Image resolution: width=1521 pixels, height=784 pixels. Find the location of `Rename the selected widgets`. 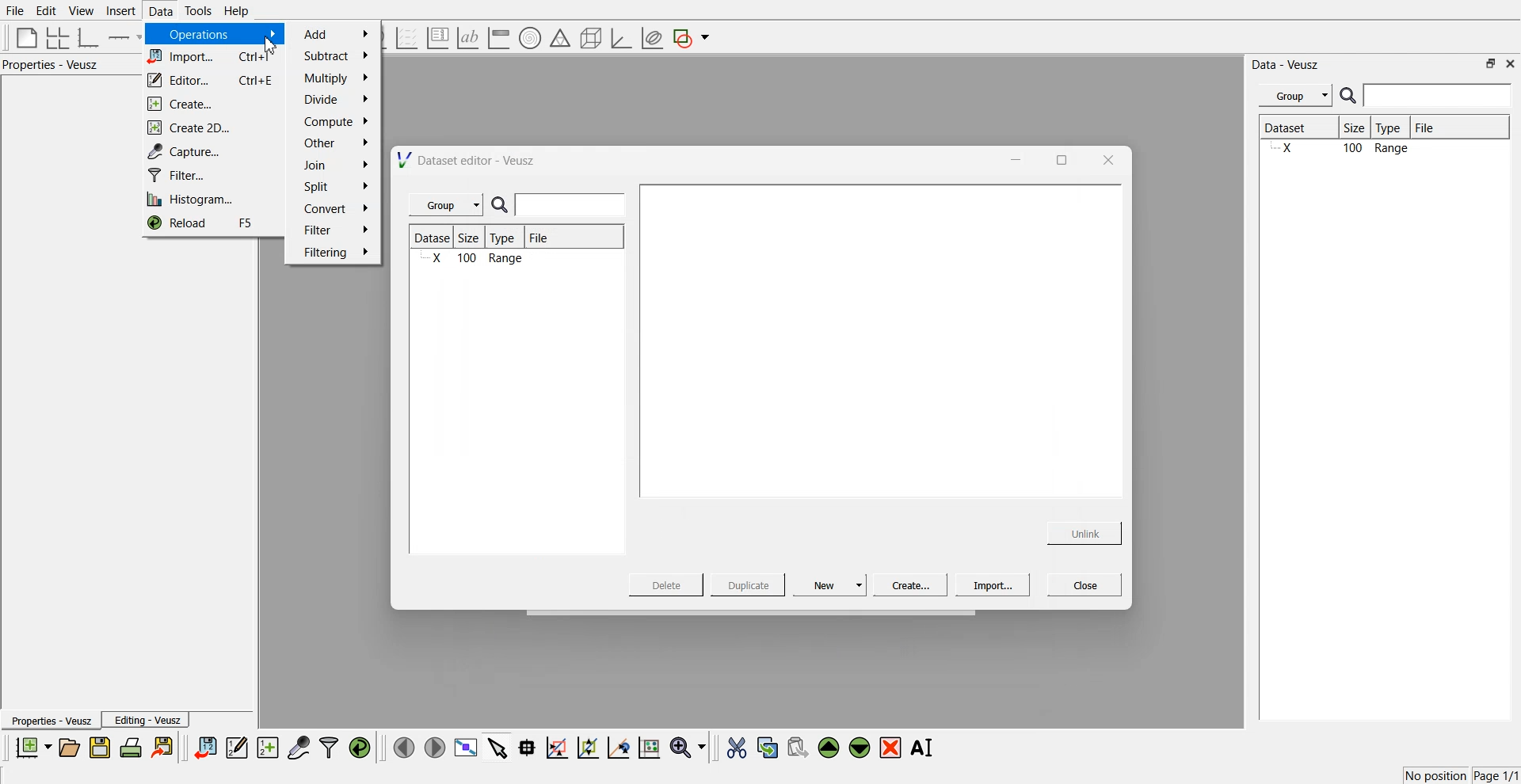

Rename the selected widgets is located at coordinates (925, 748).